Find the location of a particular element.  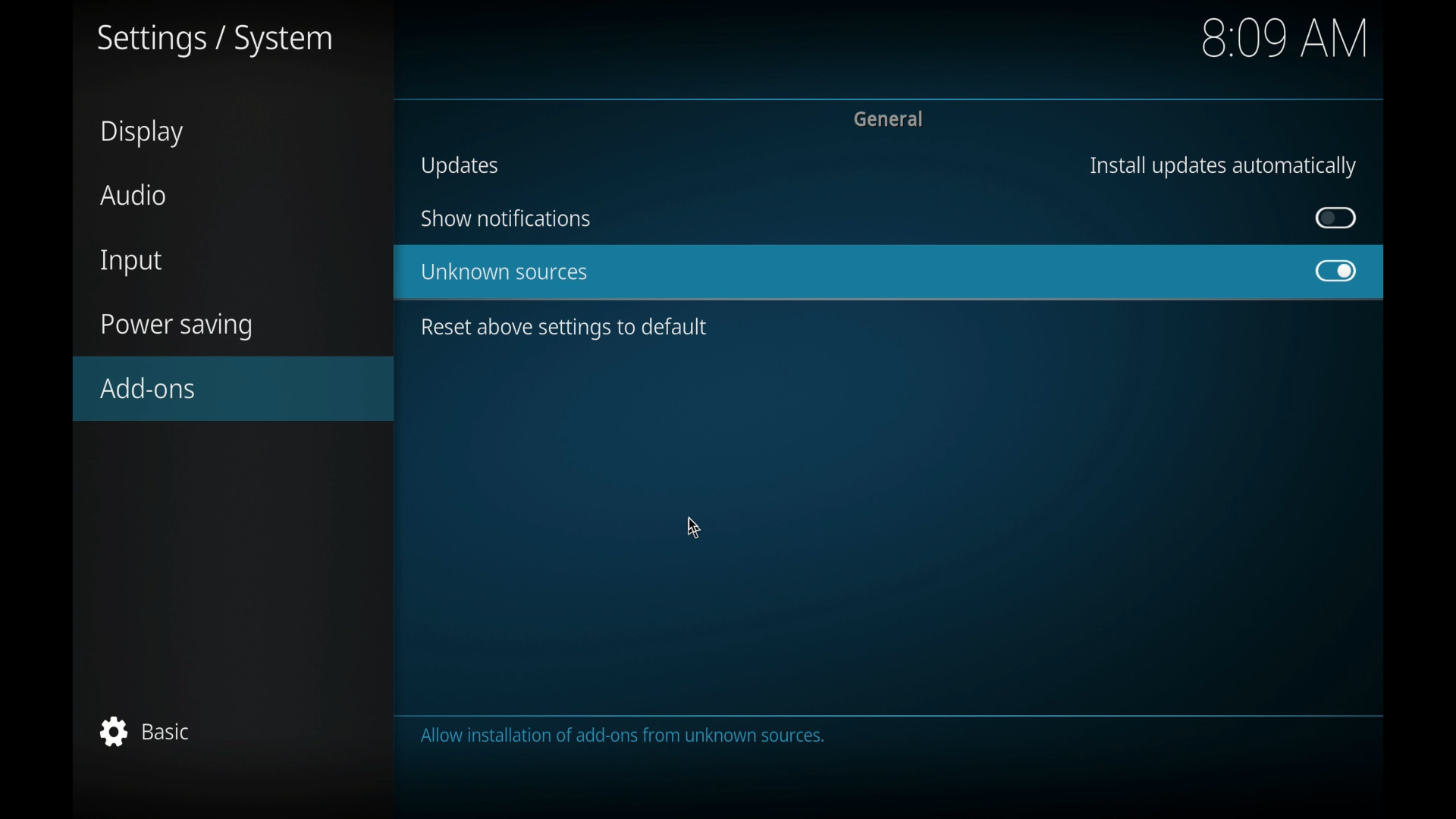

general is located at coordinates (891, 119).